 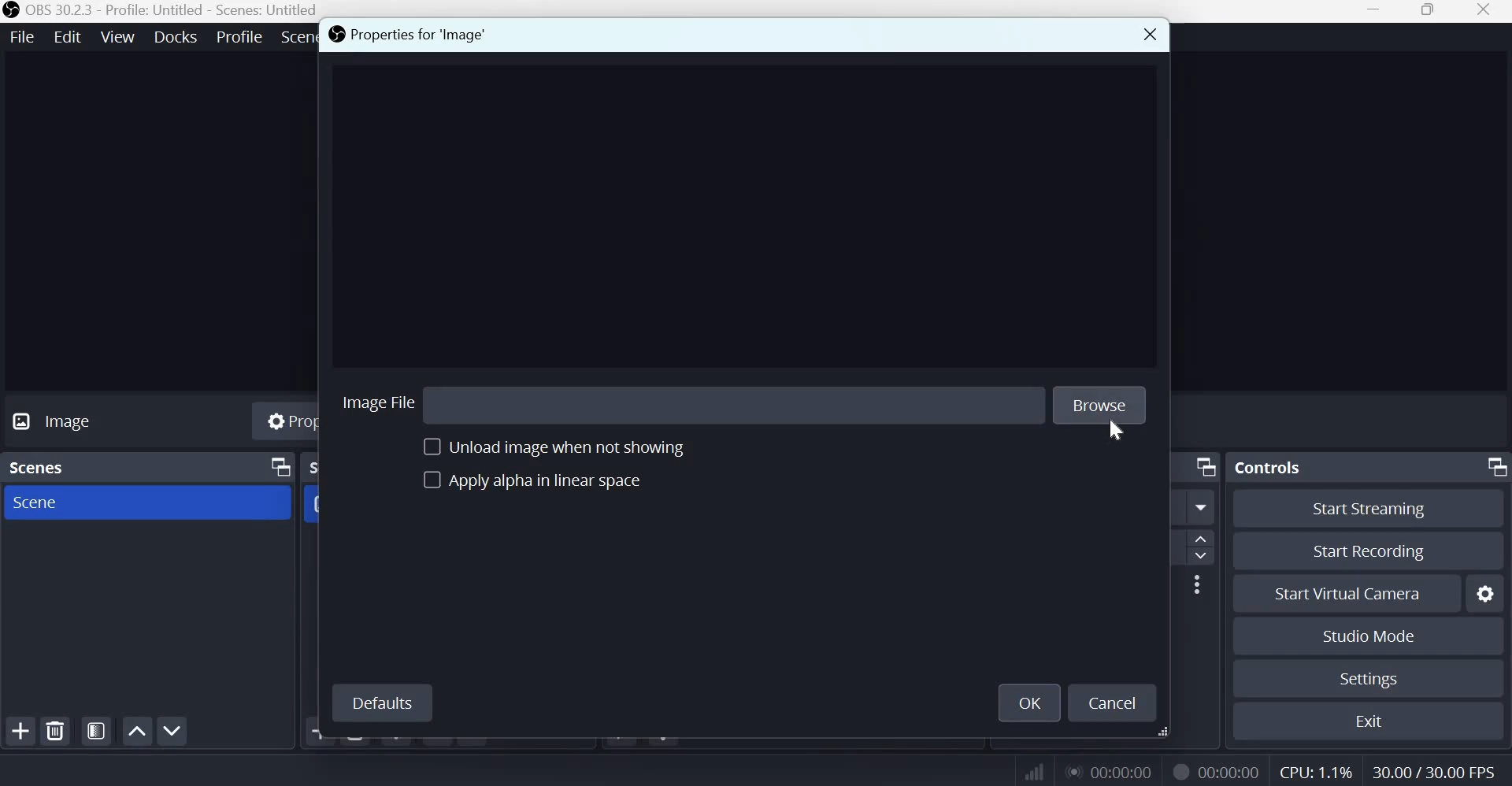 What do you see at coordinates (1113, 772) in the screenshot?
I see `00:00:00` at bounding box center [1113, 772].